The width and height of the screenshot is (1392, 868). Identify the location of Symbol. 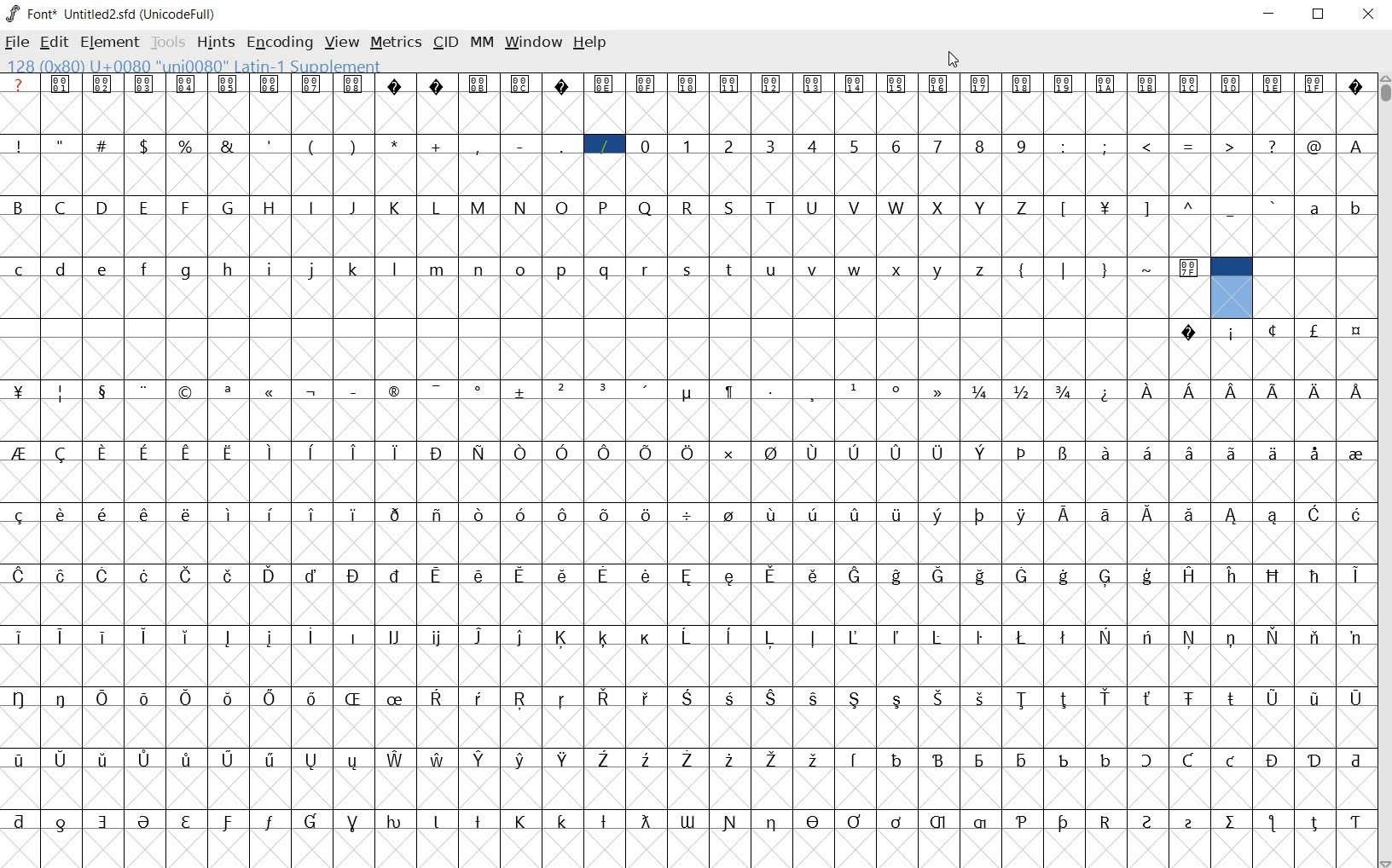
(314, 820).